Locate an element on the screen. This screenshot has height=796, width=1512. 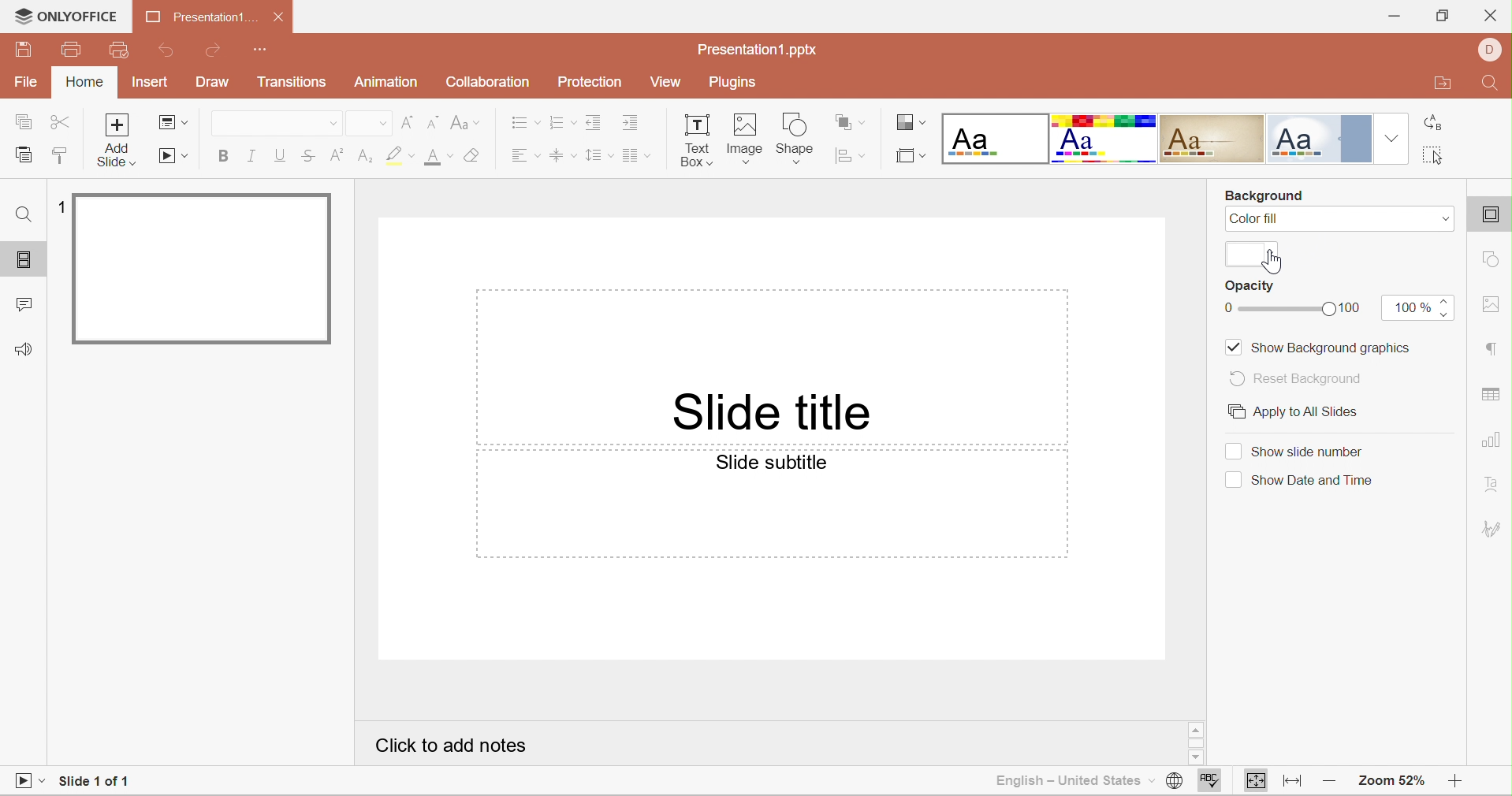
Copy is located at coordinates (20, 121).